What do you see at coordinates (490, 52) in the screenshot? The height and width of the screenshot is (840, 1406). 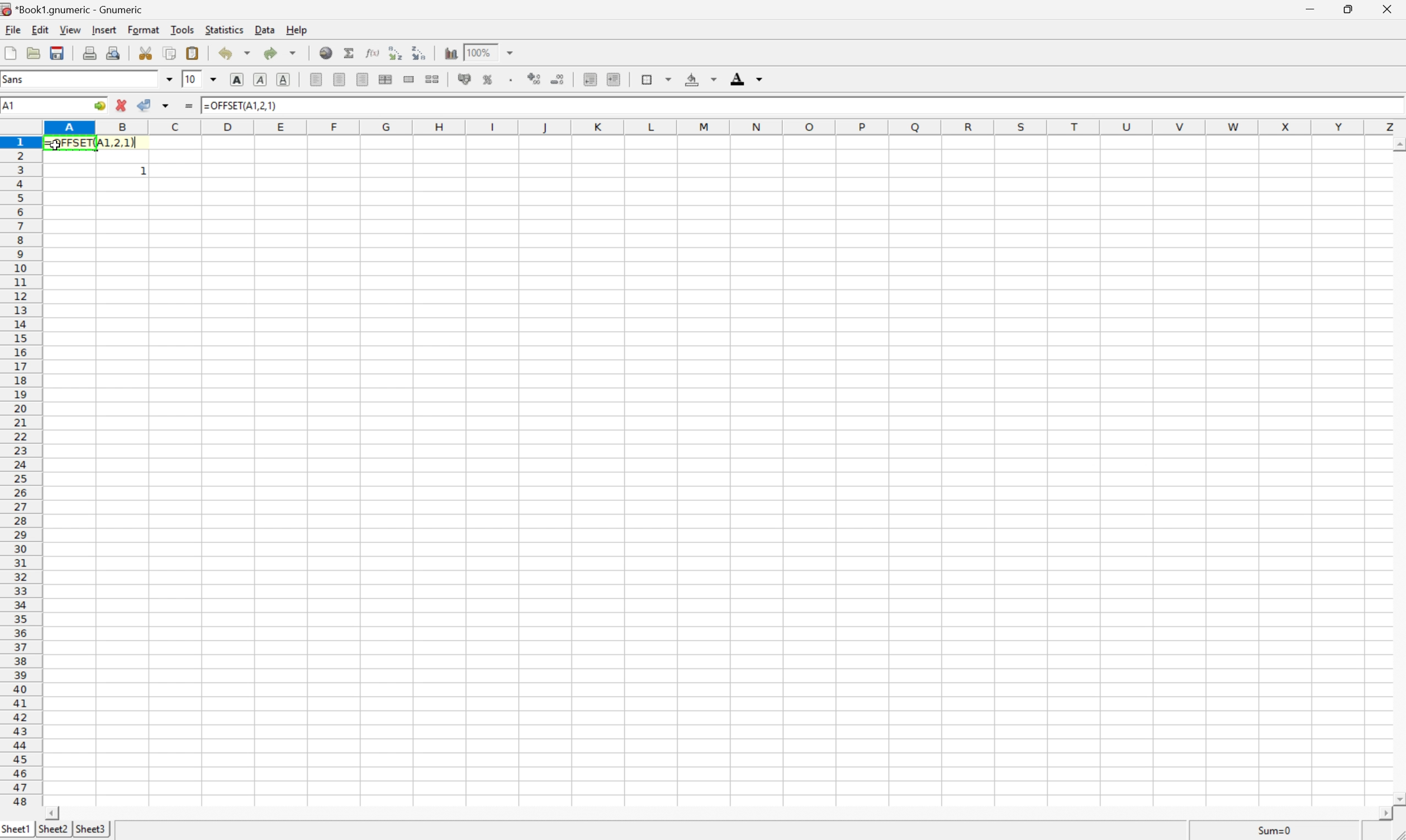 I see `zoom` at bounding box center [490, 52].